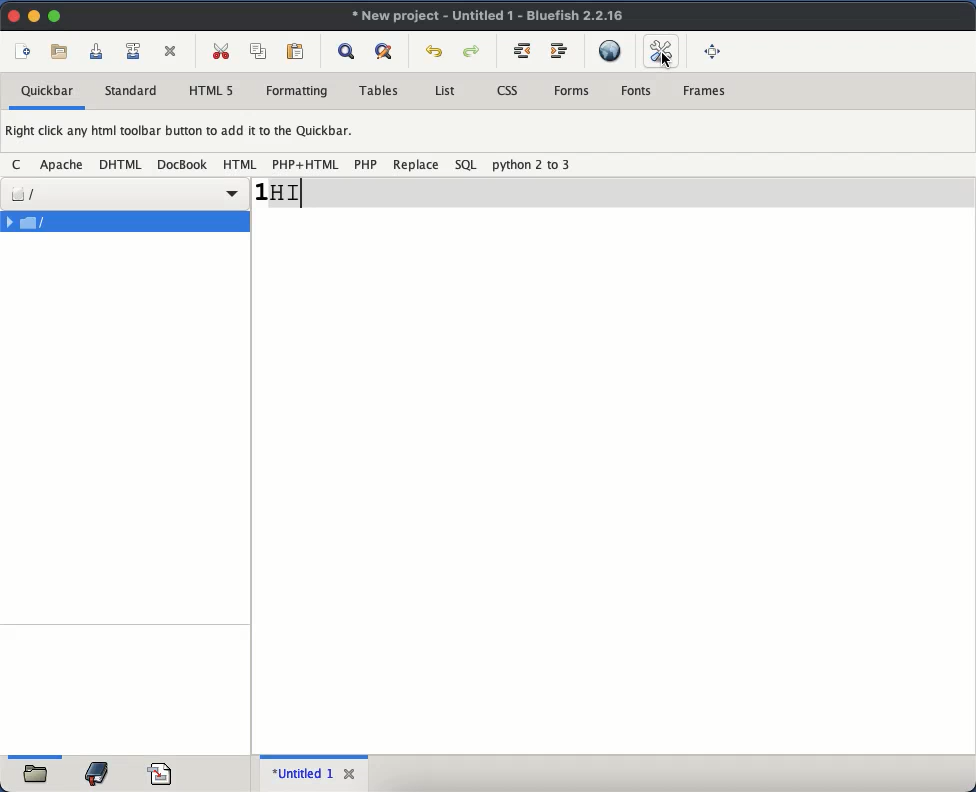 The image size is (976, 792). I want to click on sql, so click(468, 165).